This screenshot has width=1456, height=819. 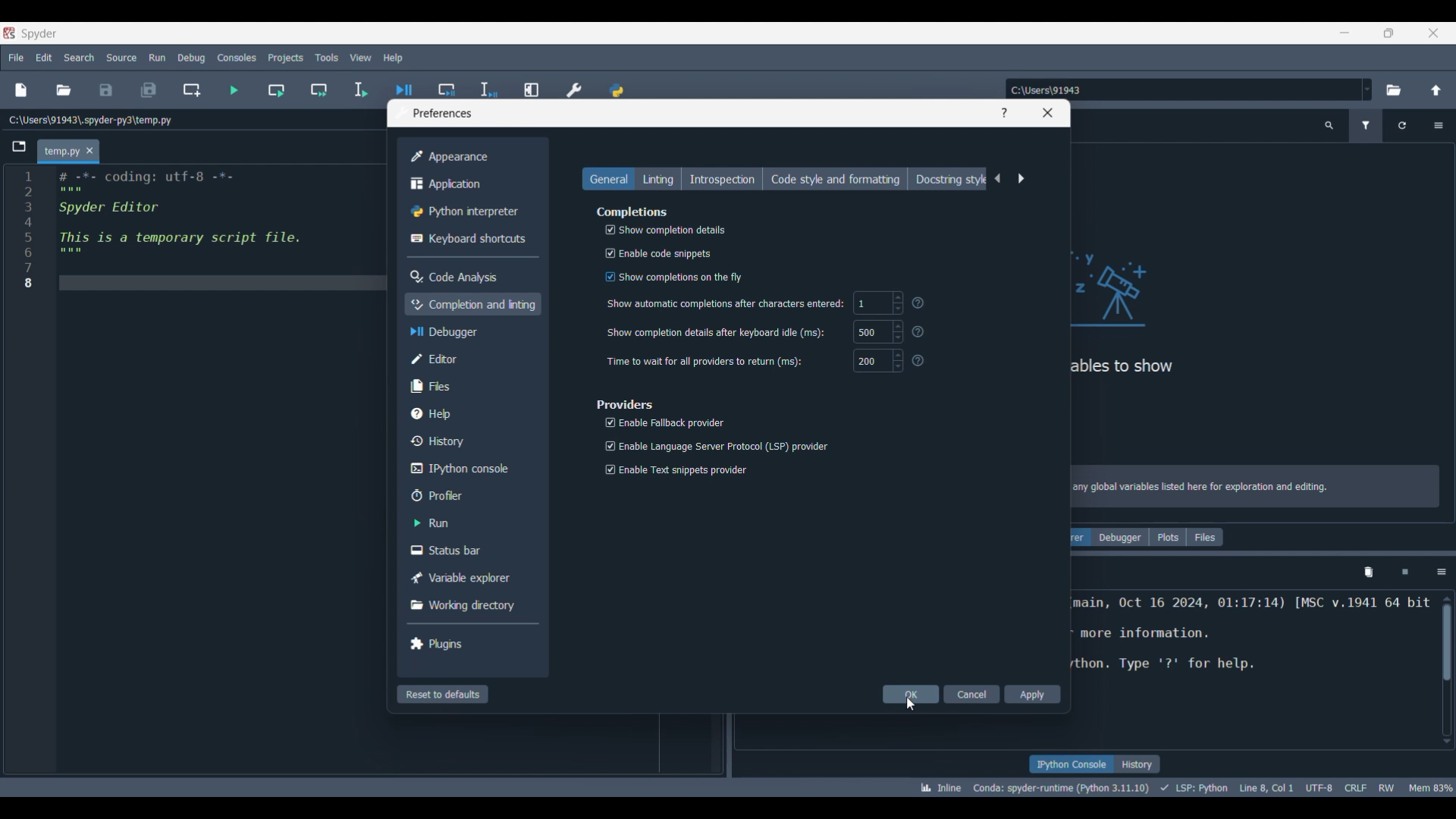 I want to click on Close window, so click(x=1048, y=113).